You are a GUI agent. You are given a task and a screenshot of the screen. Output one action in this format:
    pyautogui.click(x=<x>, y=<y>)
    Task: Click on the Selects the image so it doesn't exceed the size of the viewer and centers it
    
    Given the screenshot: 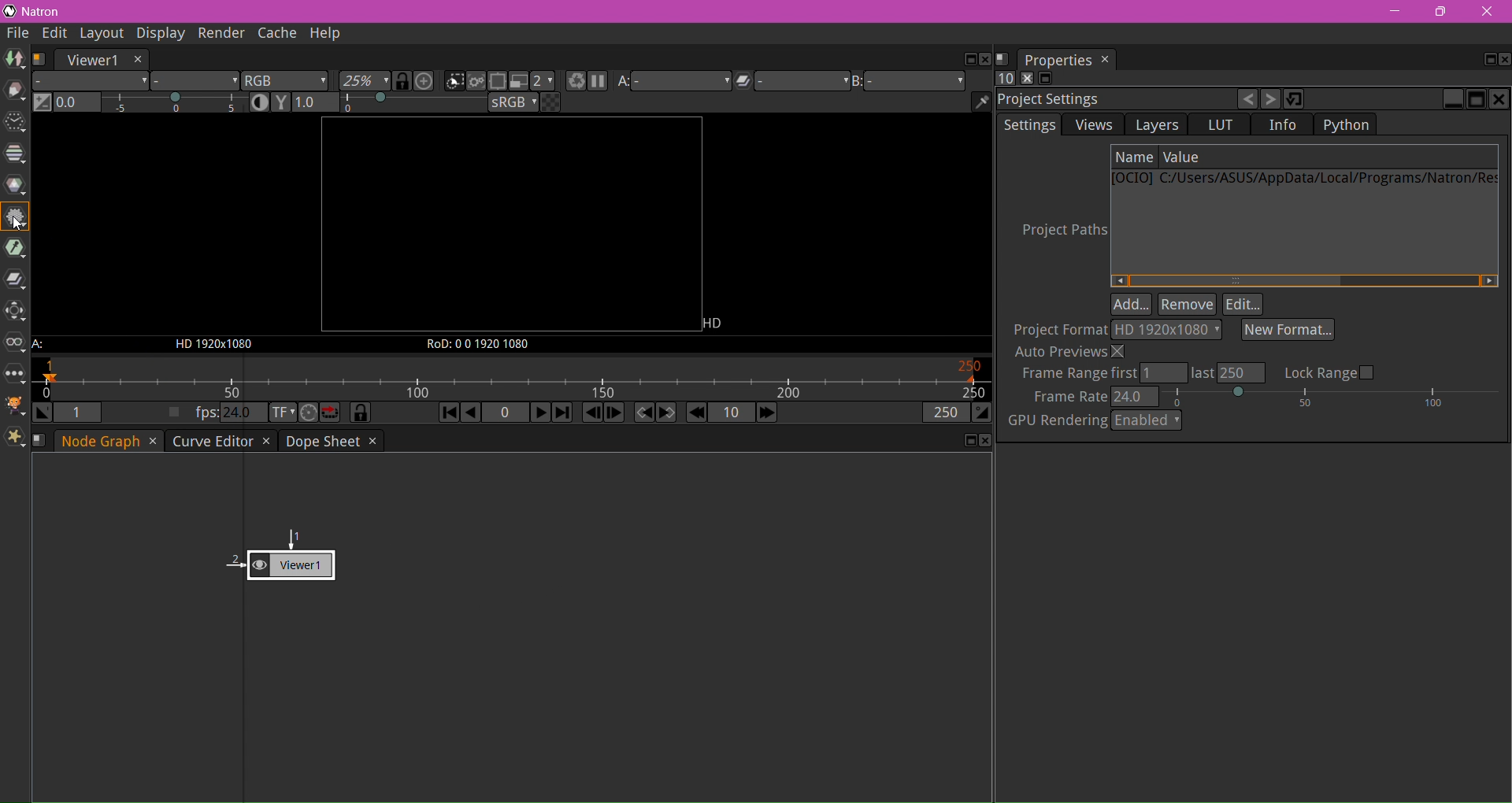 What is the action you would take?
    pyautogui.click(x=426, y=81)
    